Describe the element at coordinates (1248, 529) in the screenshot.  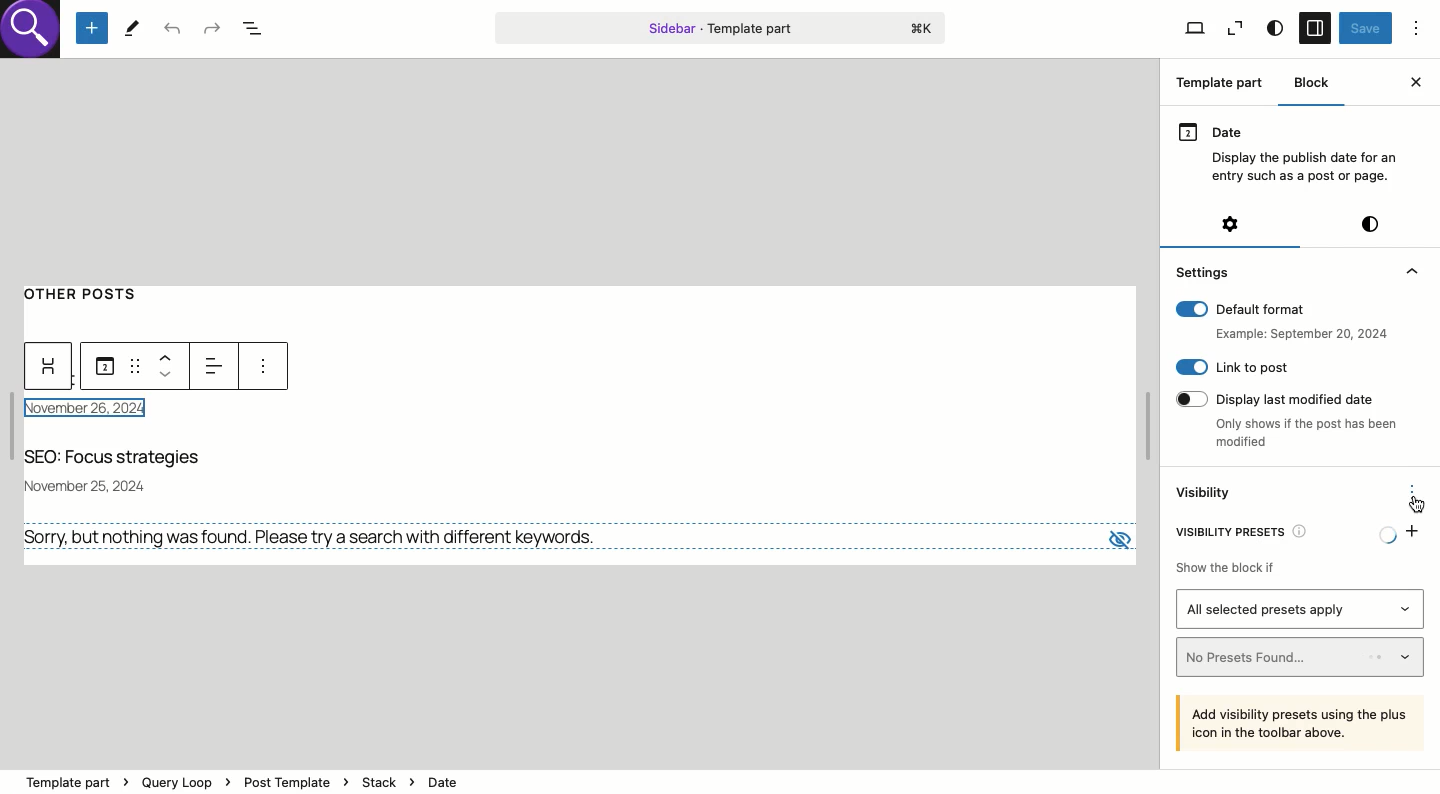
I see `Visibility presets ` at that location.